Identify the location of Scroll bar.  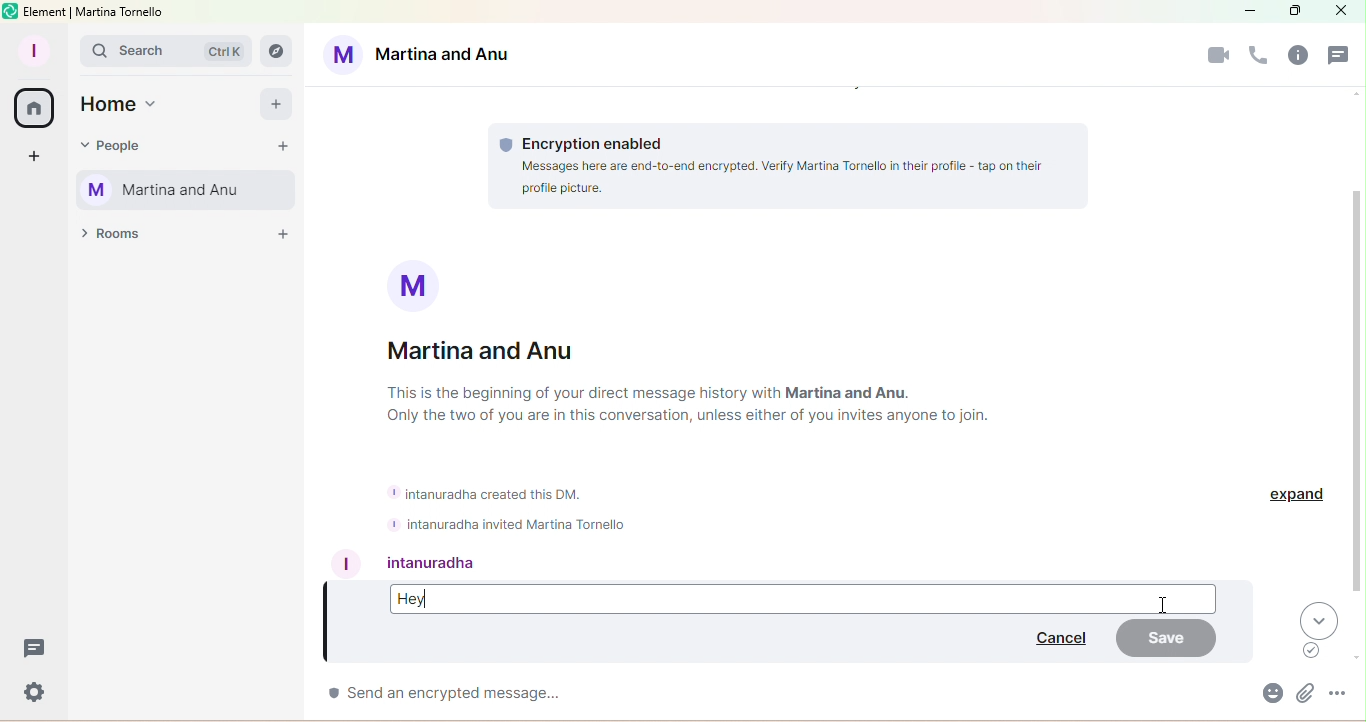
(1358, 395).